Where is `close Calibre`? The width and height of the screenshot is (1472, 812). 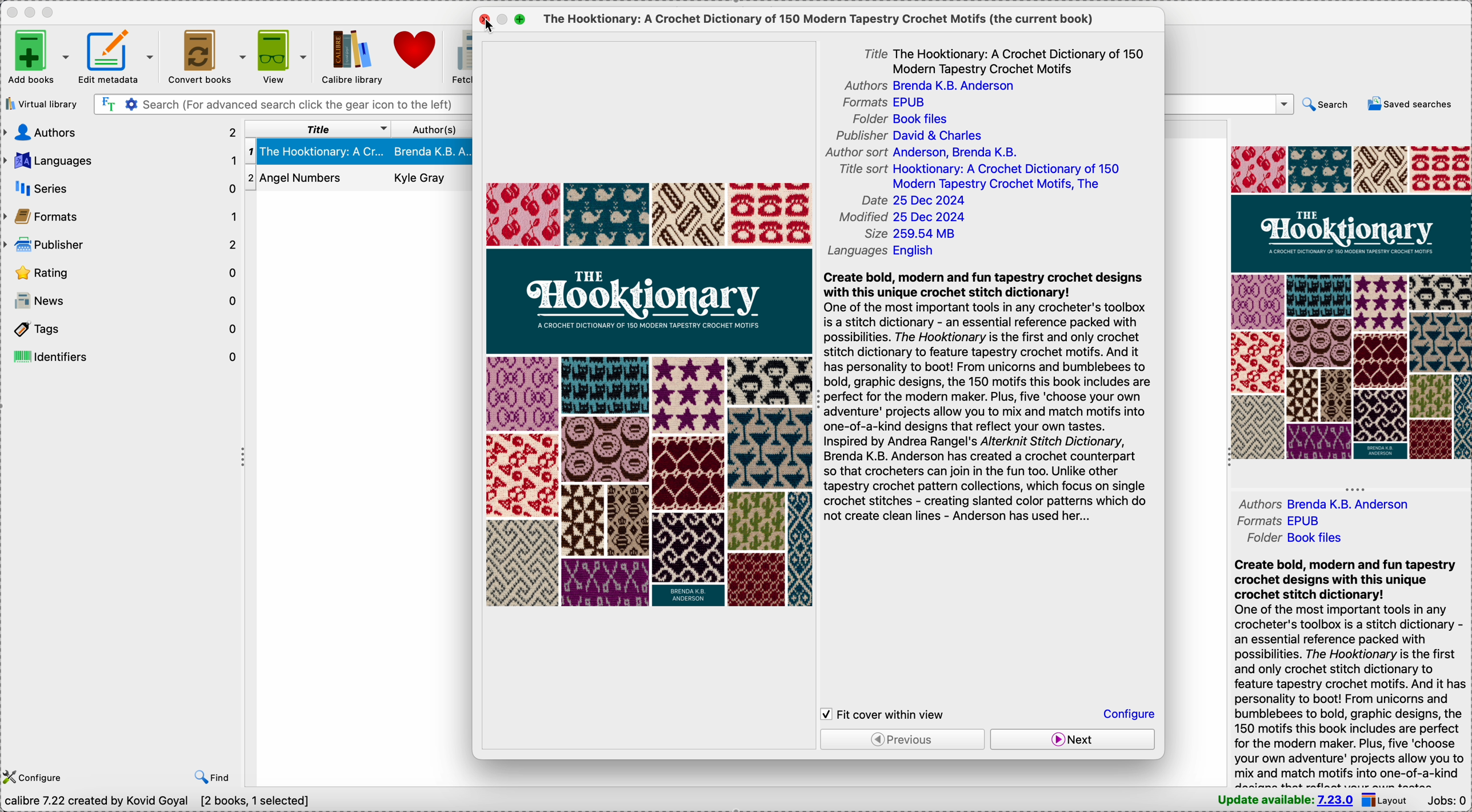
close Calibre is located at coordinates (10, 12).